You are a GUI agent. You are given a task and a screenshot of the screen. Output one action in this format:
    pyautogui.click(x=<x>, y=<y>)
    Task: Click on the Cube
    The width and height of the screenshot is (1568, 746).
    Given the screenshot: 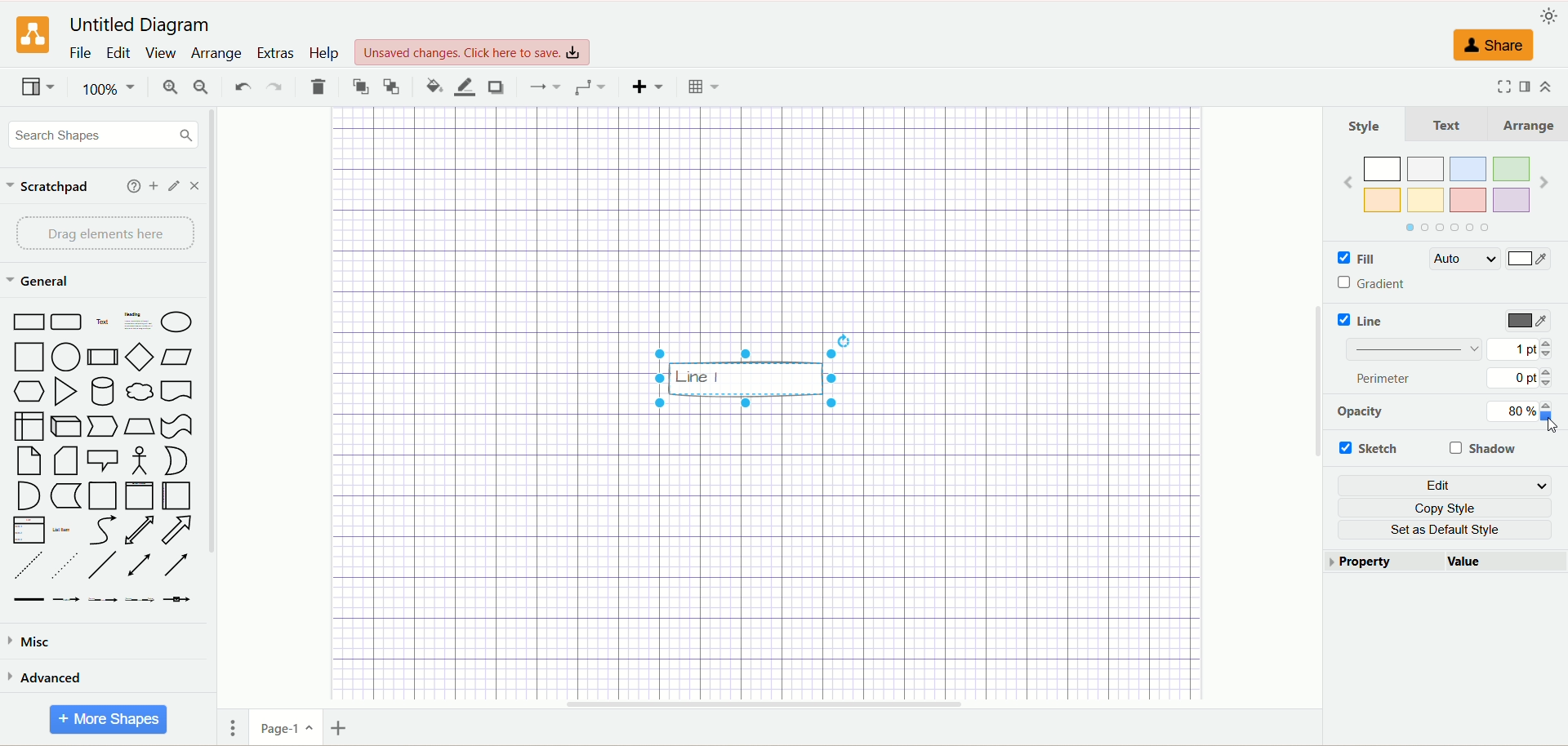 What is the action you would take?
    pyautogui.click(x=68, y=427)
    